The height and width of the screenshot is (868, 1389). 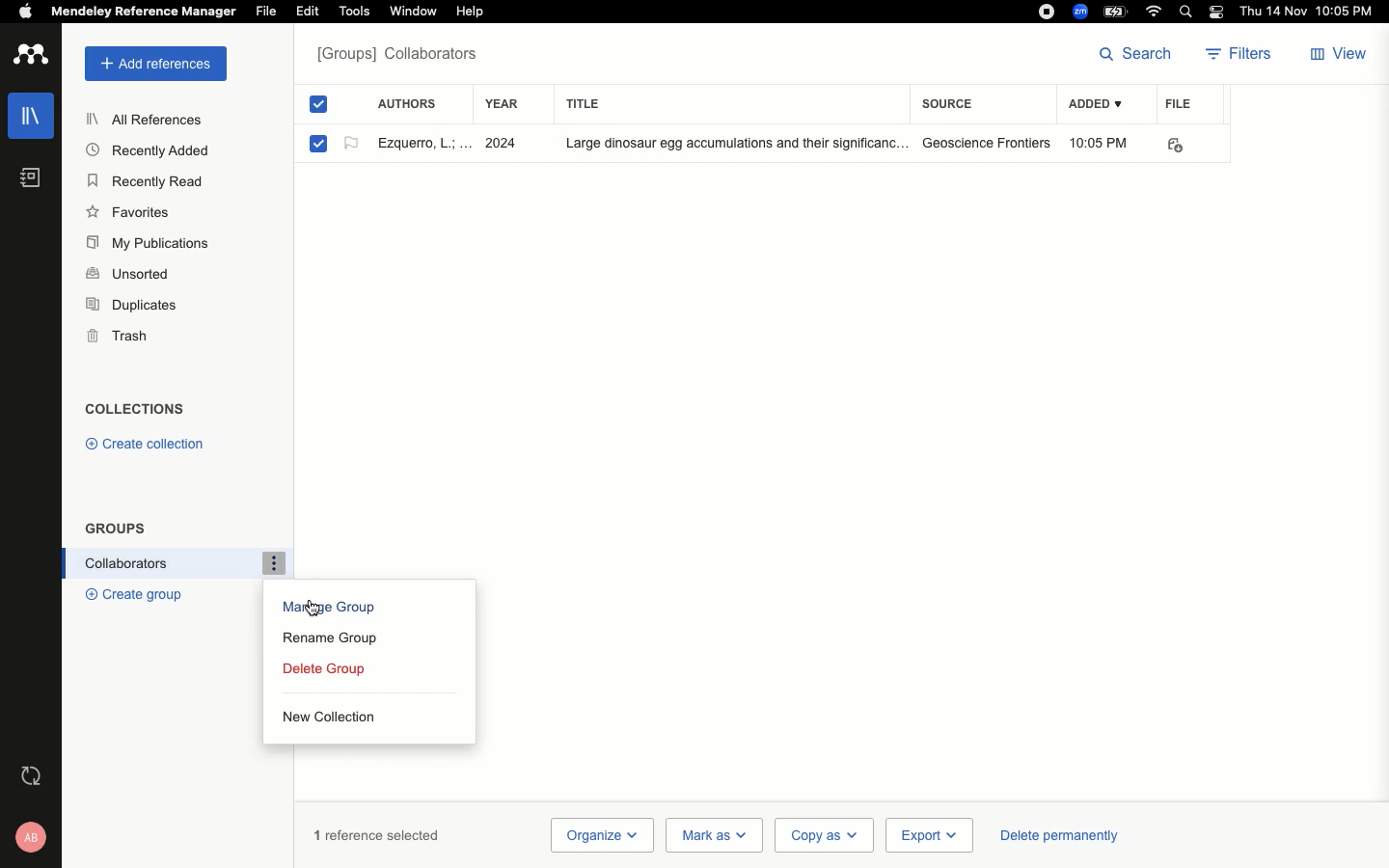 What do you see at coordinates (36, 777) in the screenshot?
I see `Last sync` at bounding box center [36, 777].